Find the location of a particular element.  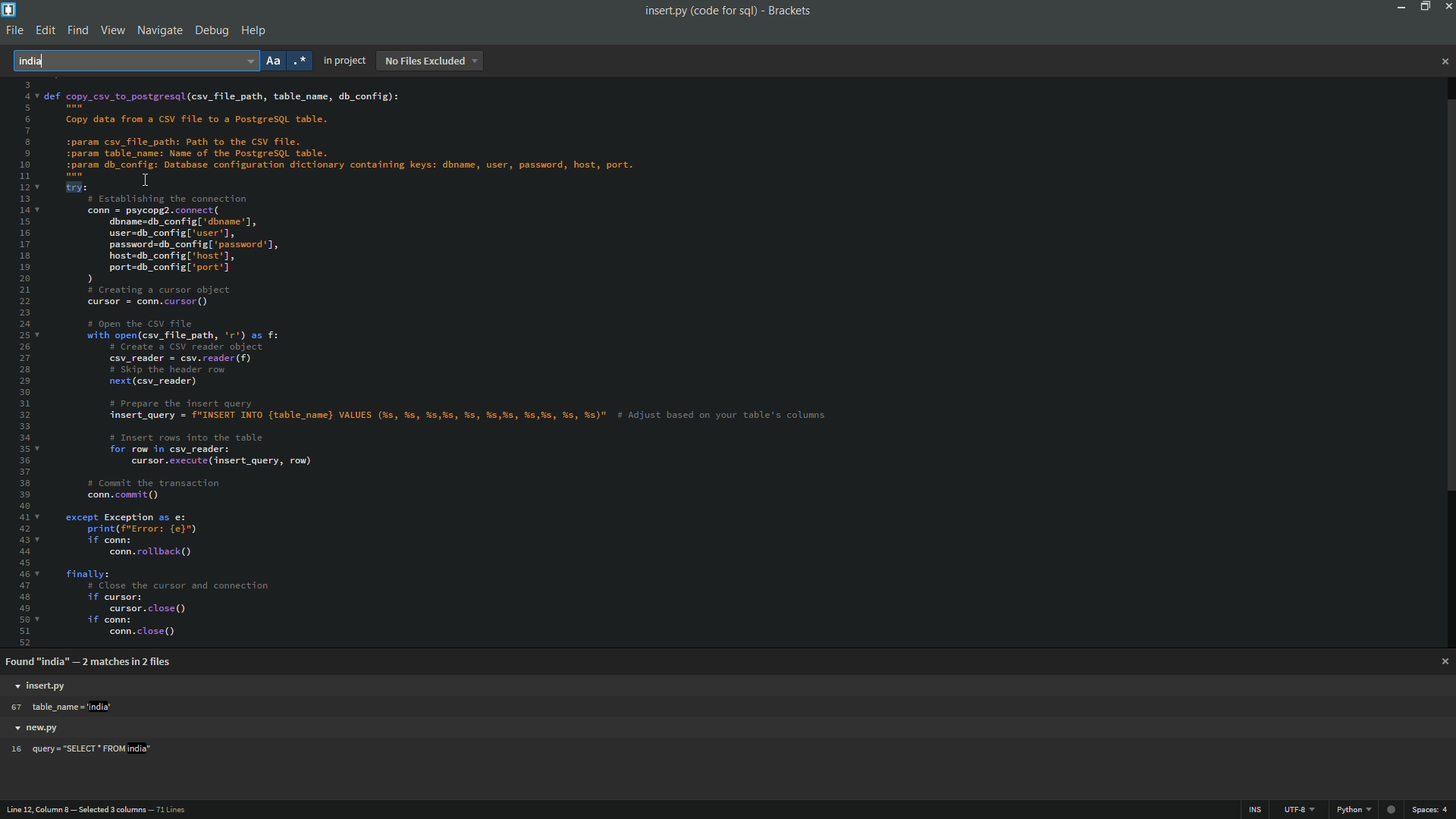

find menu is located at coordinates (76, 30).